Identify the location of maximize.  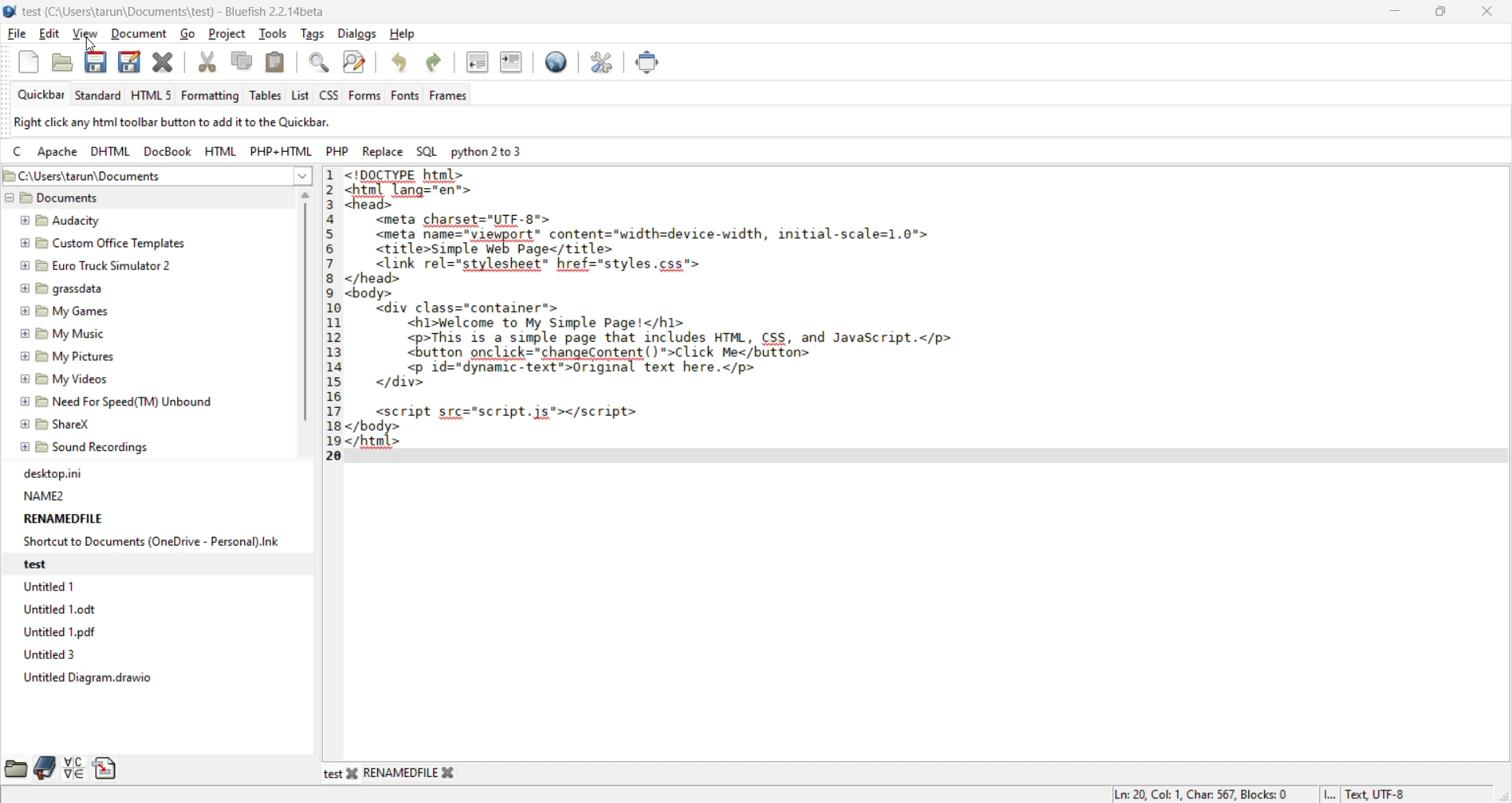
(1440, 14).